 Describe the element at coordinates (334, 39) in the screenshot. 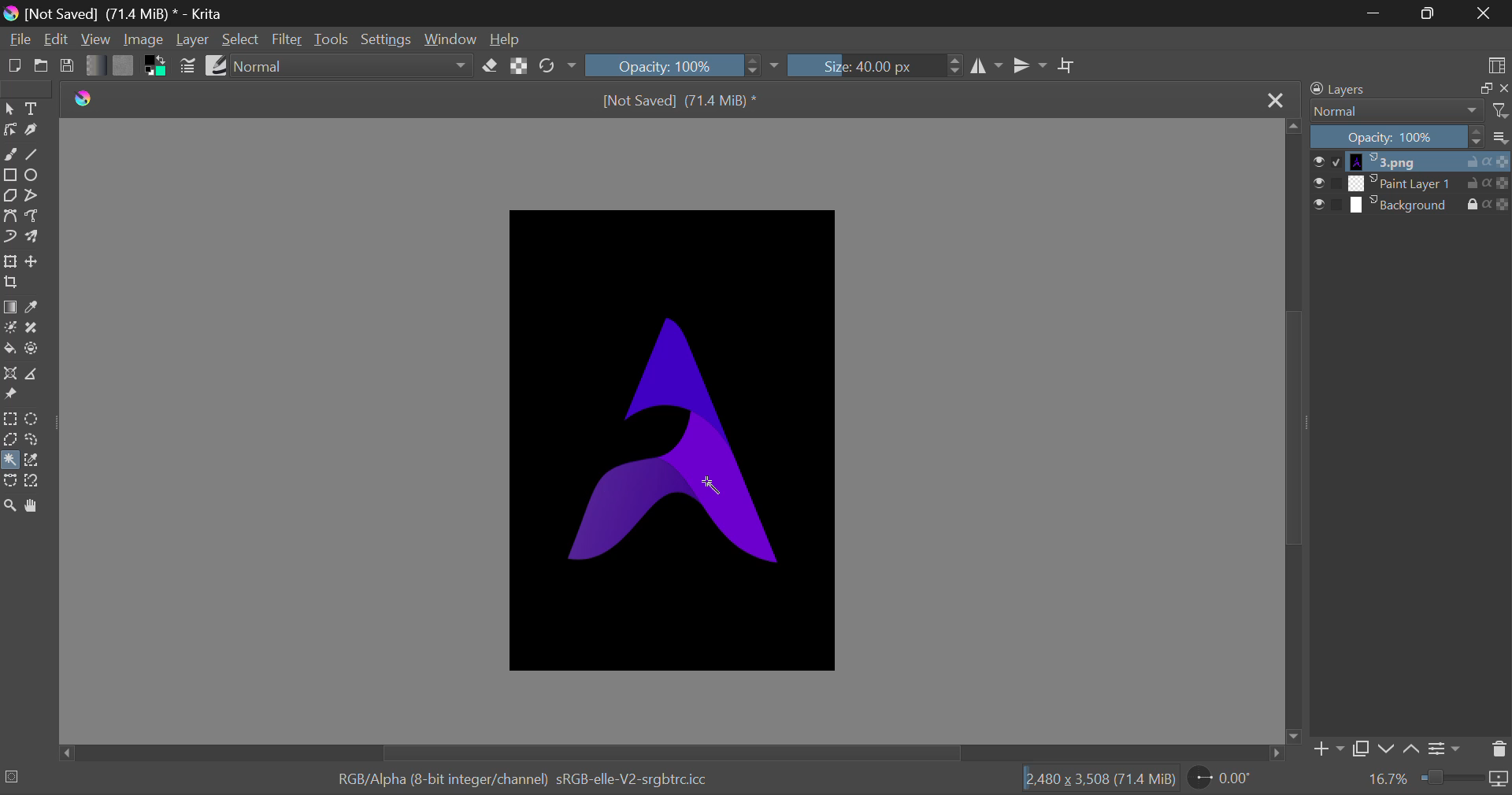

I see `Tools` at that location.